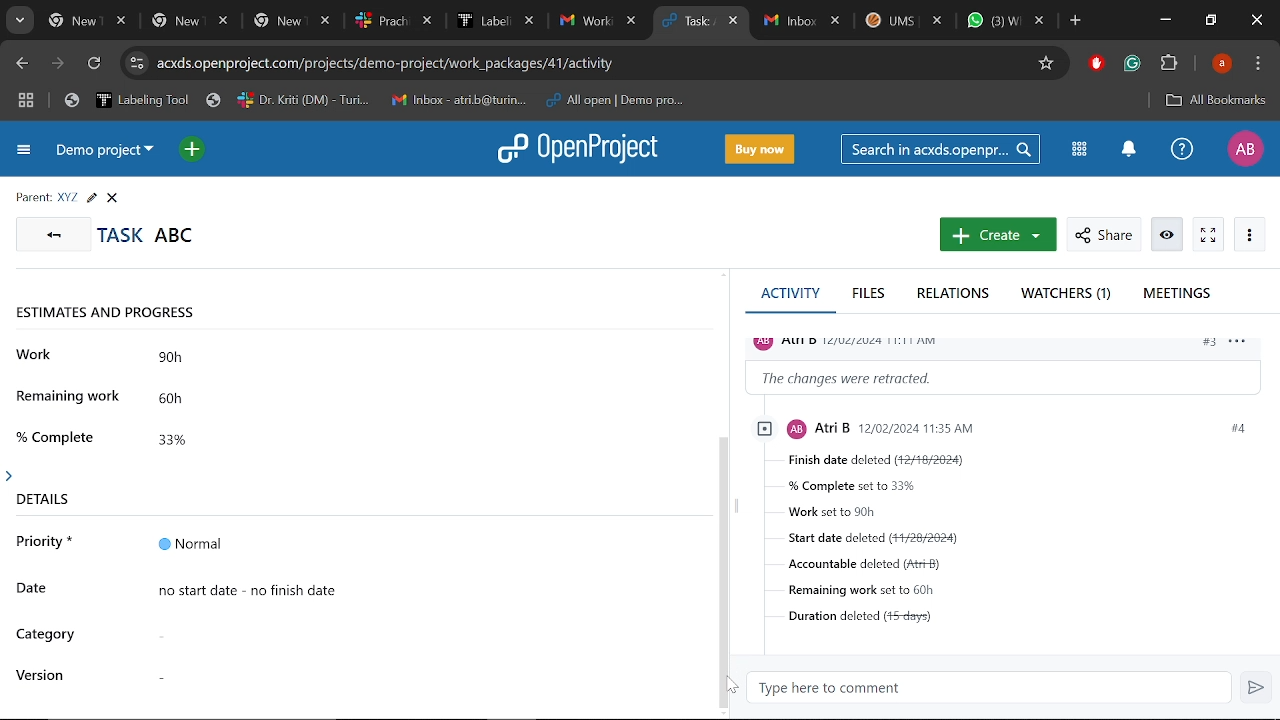 The width and height of the screenshot is (1280, 720). I want to click on Close, so click(112, 198).